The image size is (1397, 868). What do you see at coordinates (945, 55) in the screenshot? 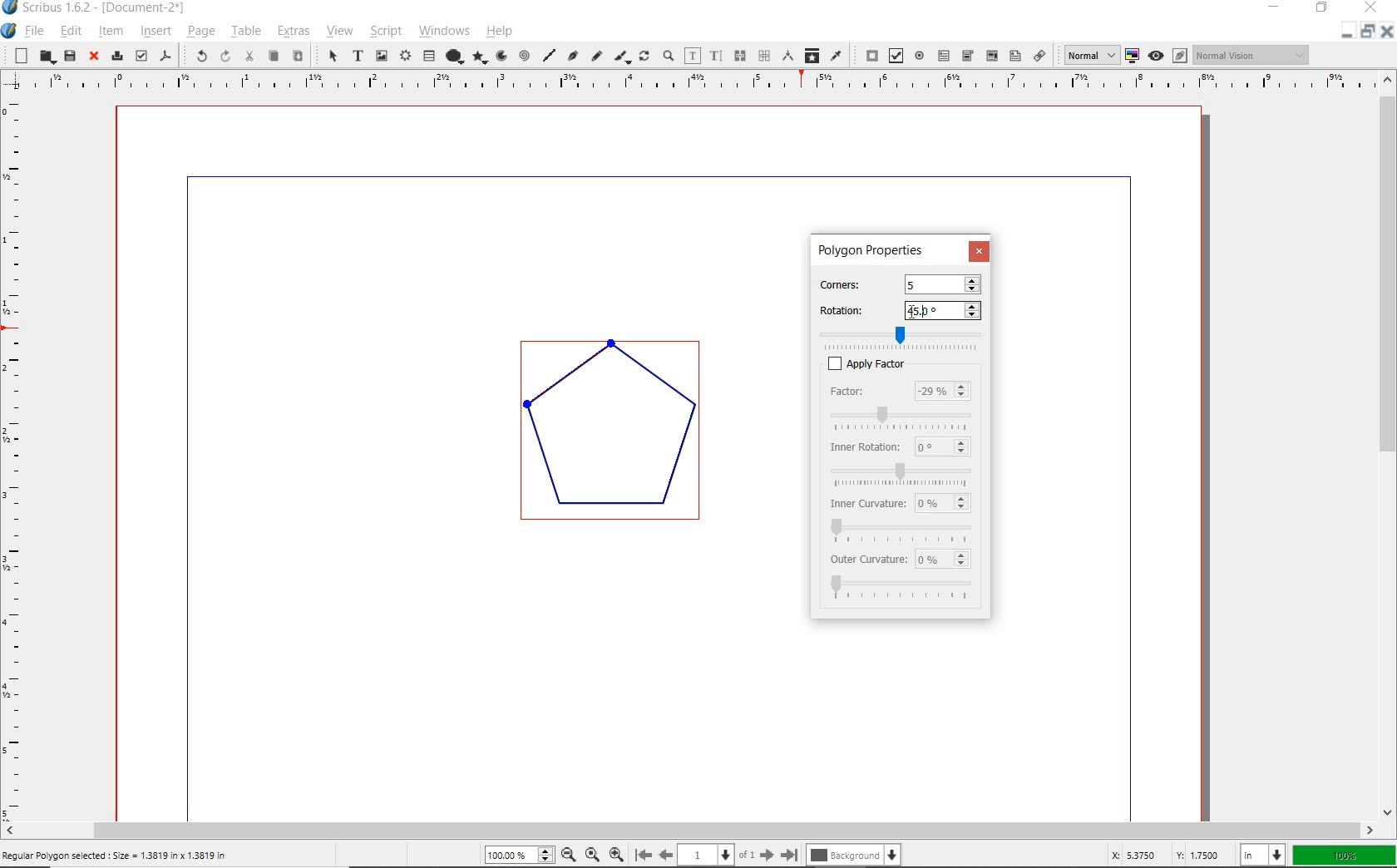
I see `pdf text field` at bounding box center [945, 55].